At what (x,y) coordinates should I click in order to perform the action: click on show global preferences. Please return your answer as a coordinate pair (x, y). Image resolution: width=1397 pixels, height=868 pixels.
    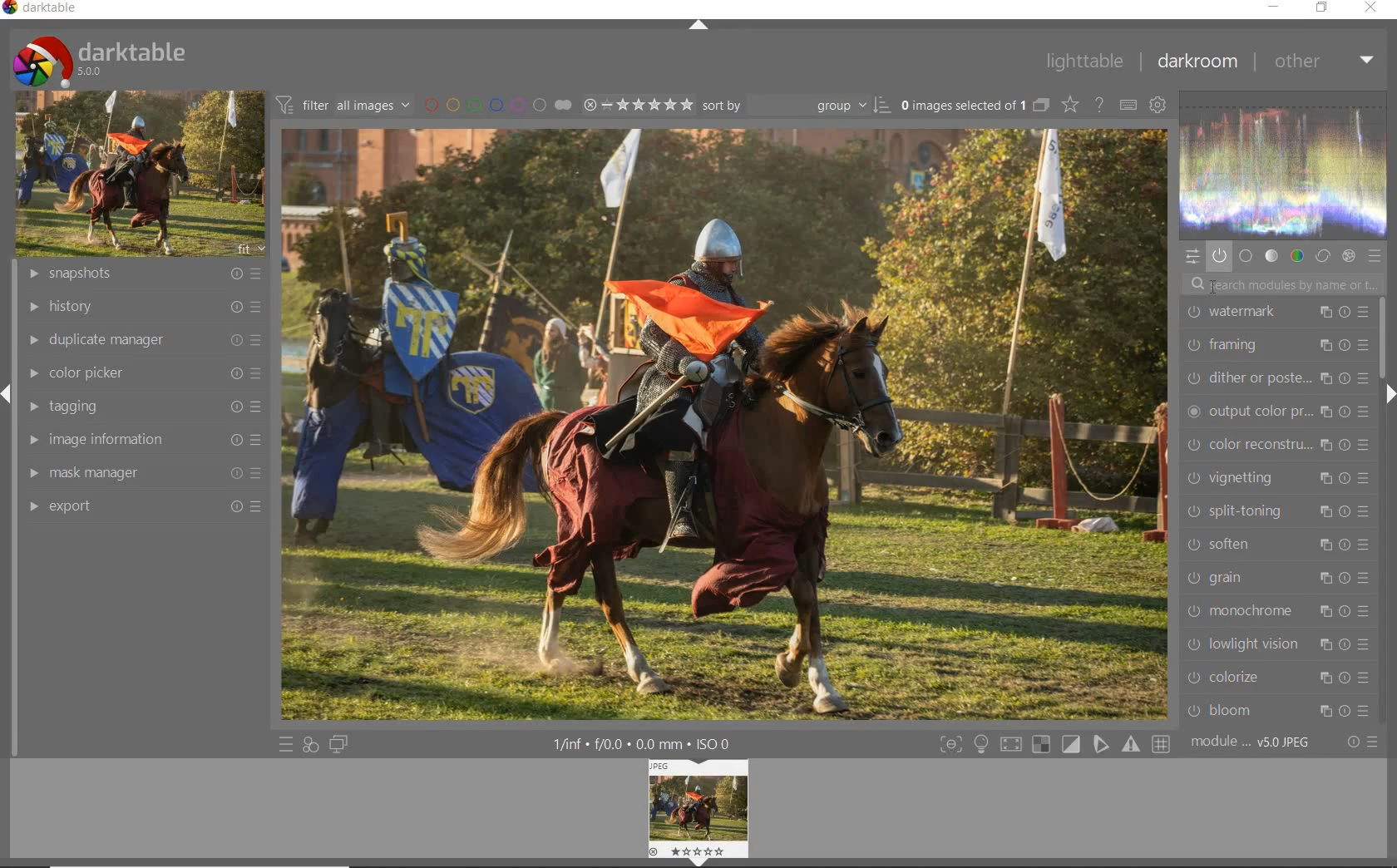
    Looking at the image, I should click on (1158, 107).